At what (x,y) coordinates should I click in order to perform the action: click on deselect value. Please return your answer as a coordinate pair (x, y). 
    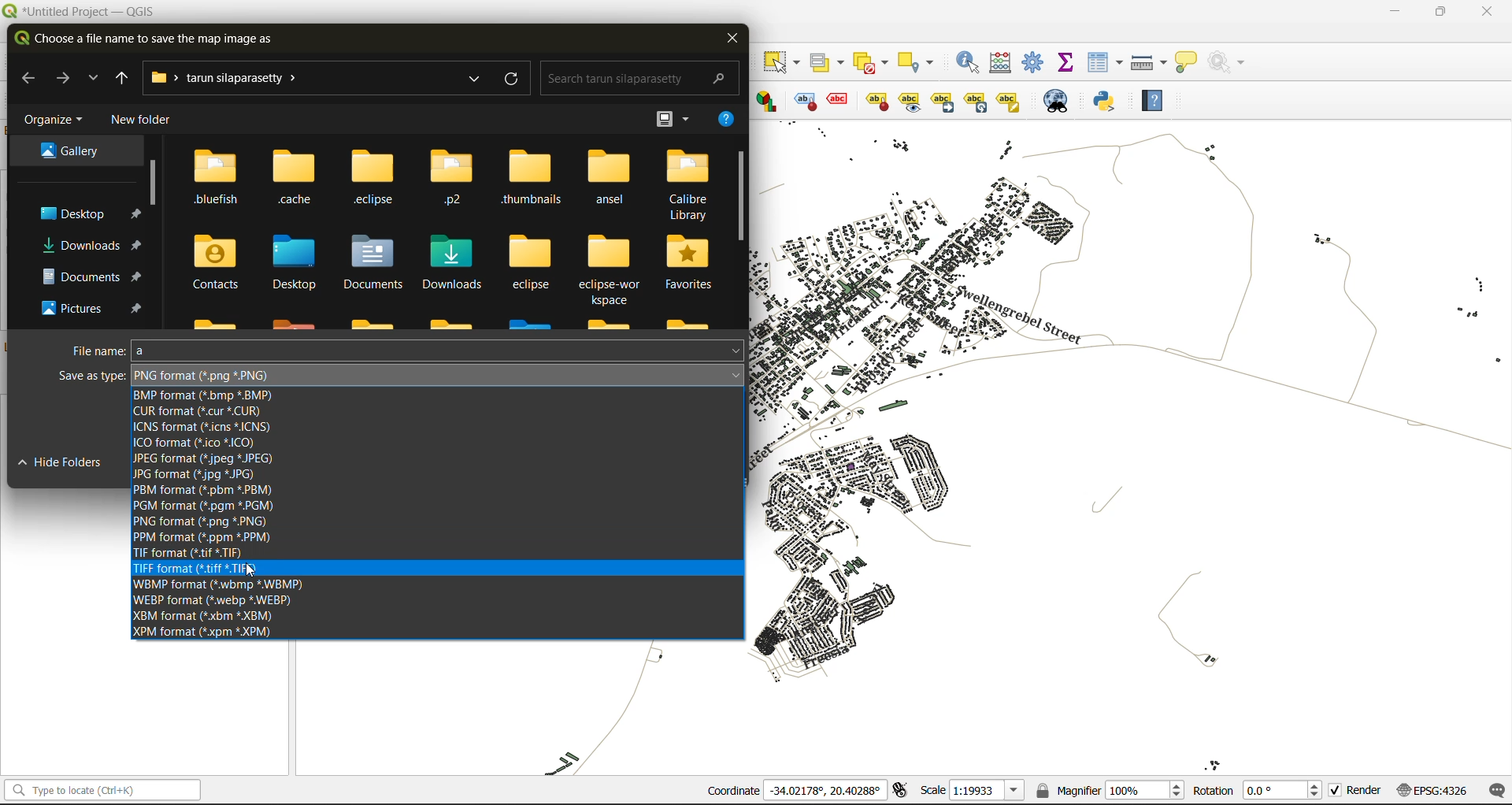
    Looking at the image, I should click on (877, 61).